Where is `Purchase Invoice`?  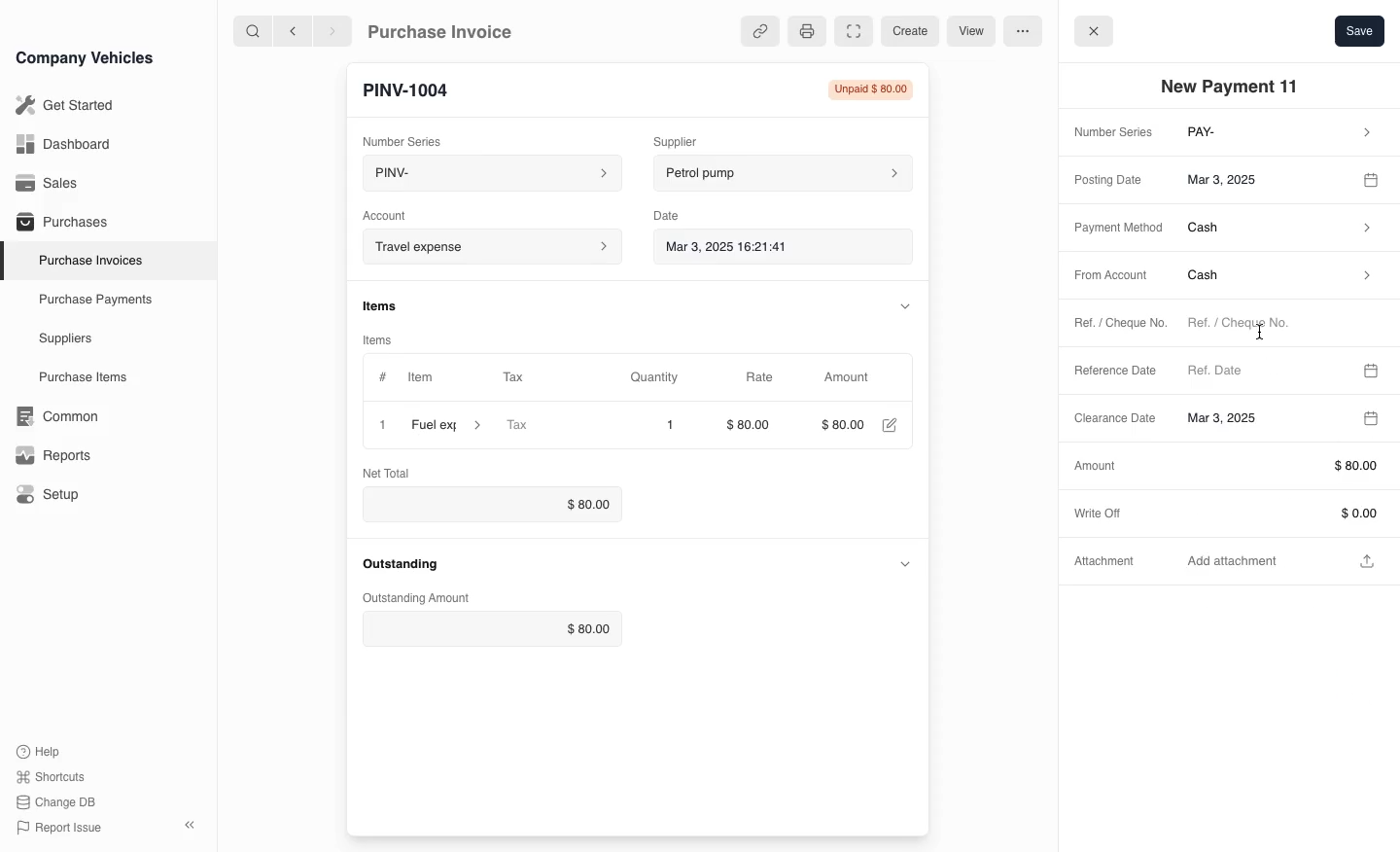
Purchase Invoice is located at coordinates (453, 30).